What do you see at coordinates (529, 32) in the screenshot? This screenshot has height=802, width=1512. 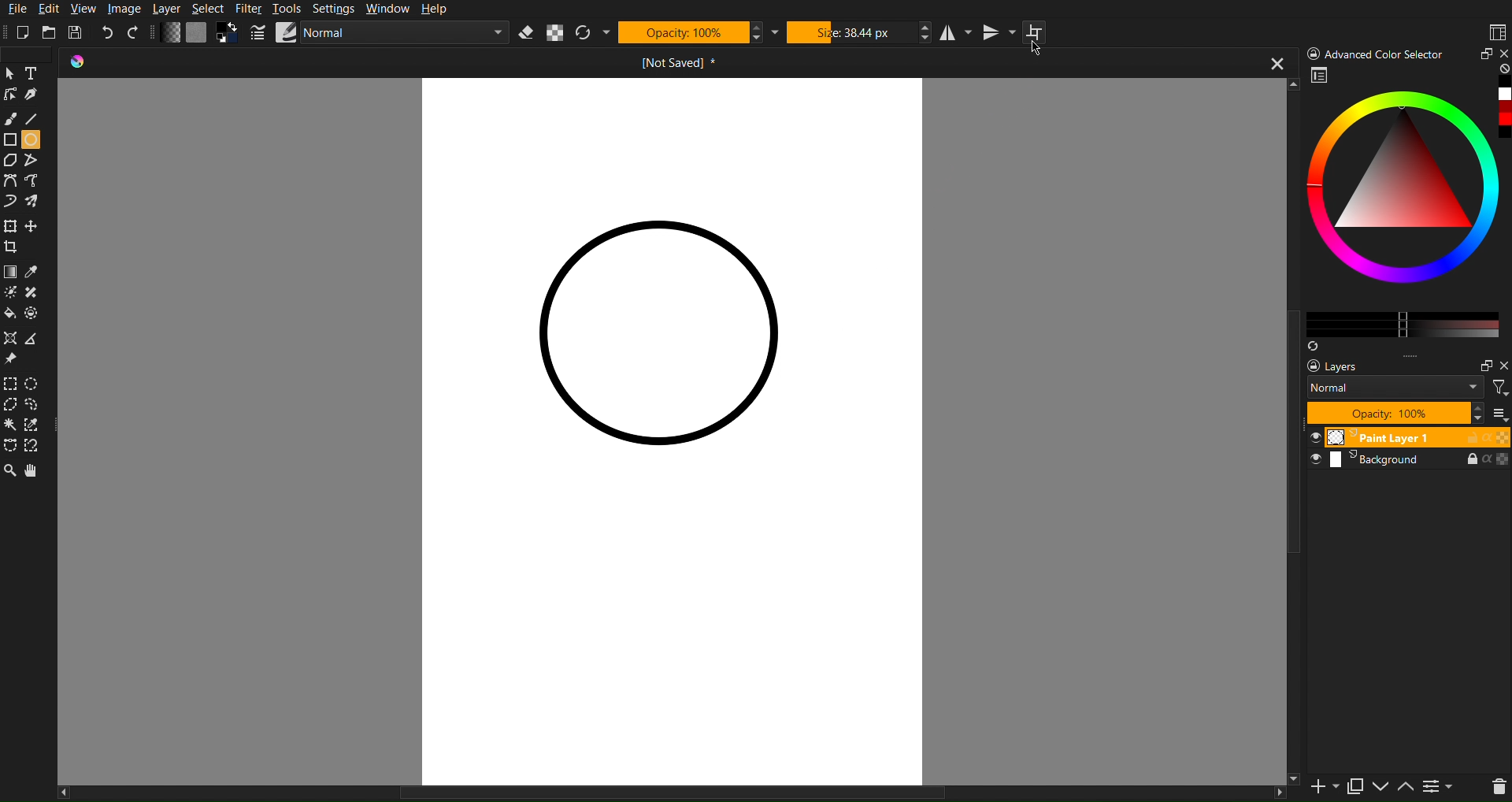 I see `Erase` at bounding box center [529, 32].